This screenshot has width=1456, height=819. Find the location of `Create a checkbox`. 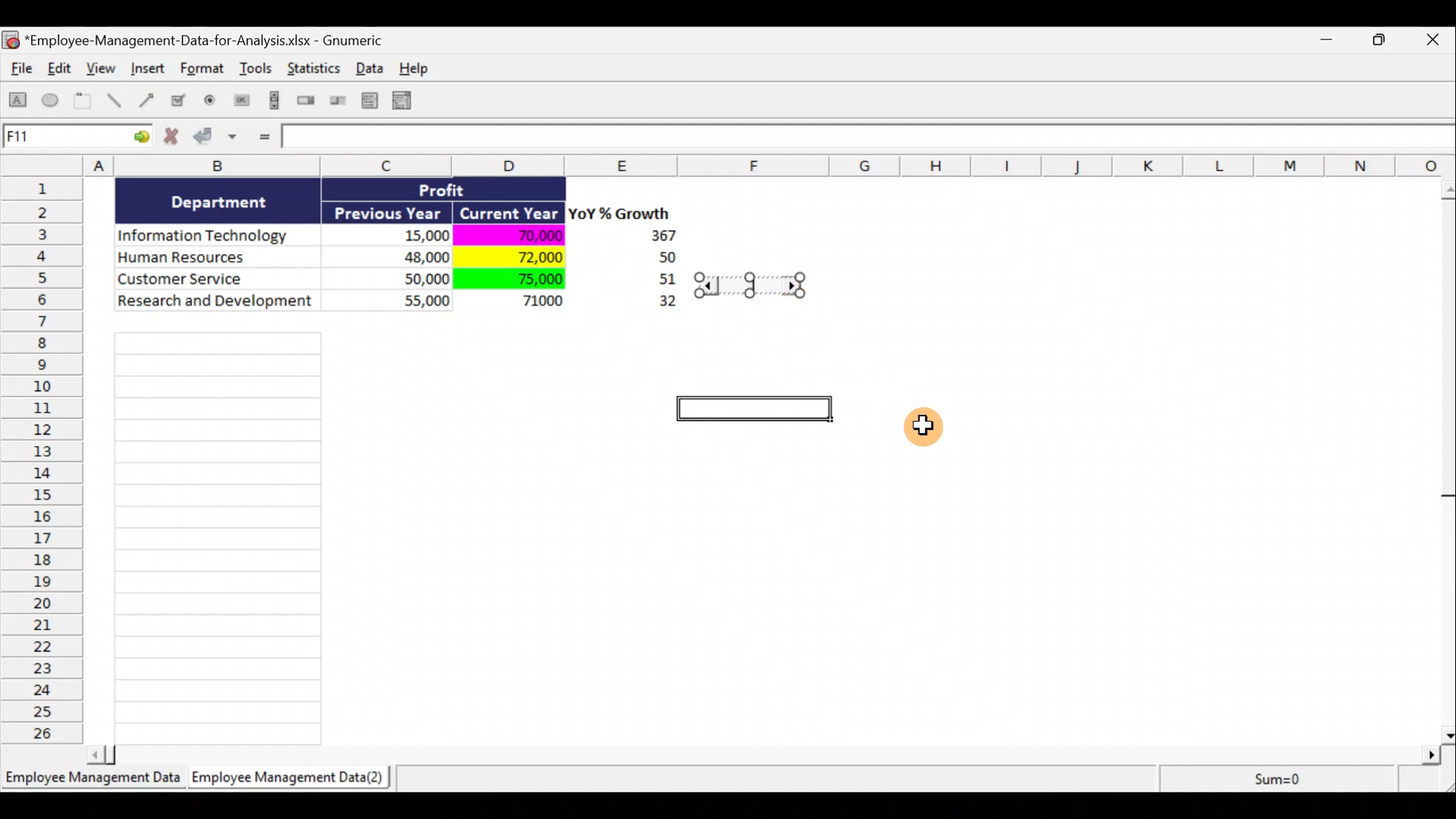

Create a checkbox is located at coordinates (179, 100).